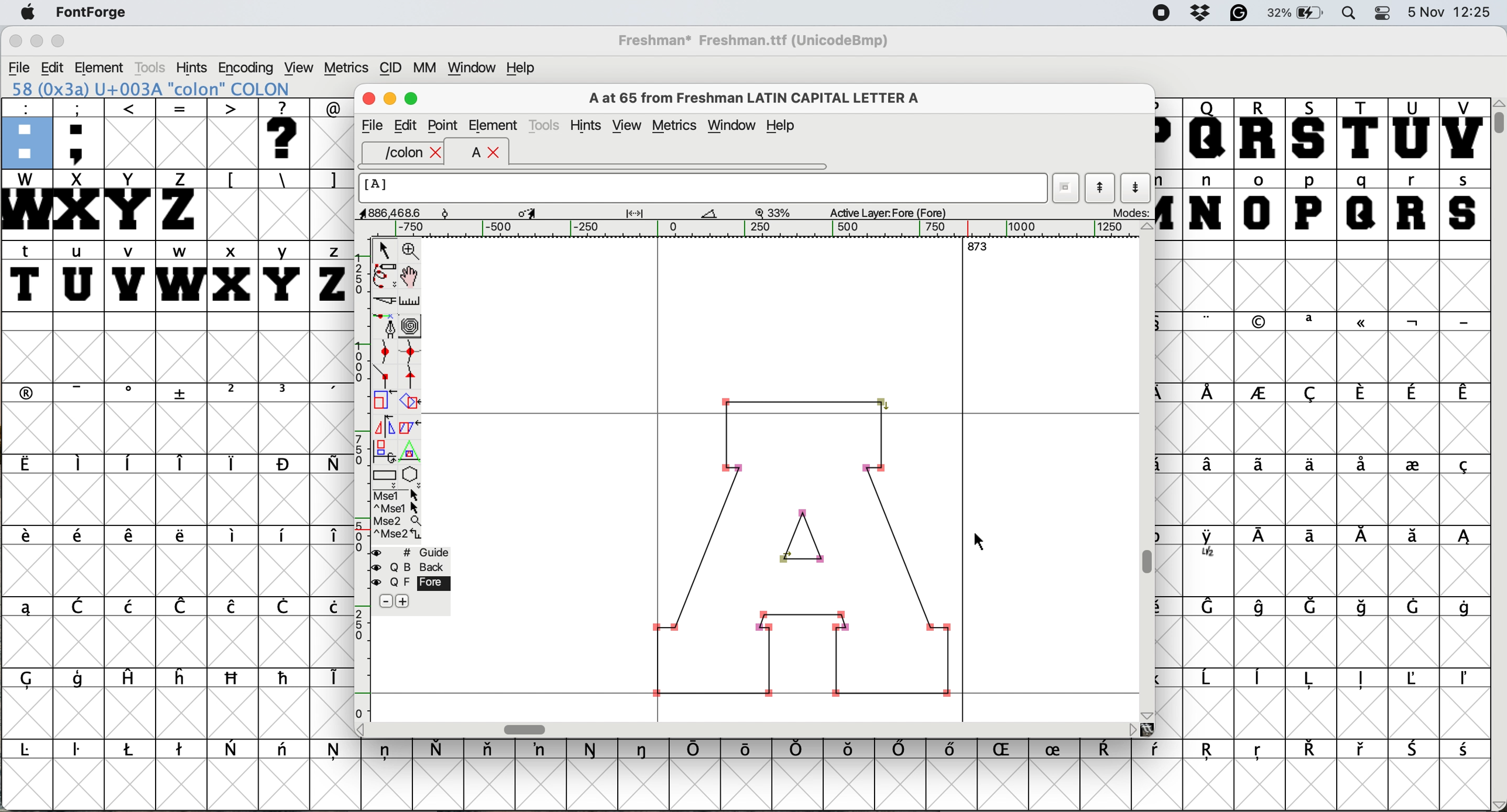 The height and width of the screenshot is (812, 1507). I want to click on symbol, so click(81, 538).